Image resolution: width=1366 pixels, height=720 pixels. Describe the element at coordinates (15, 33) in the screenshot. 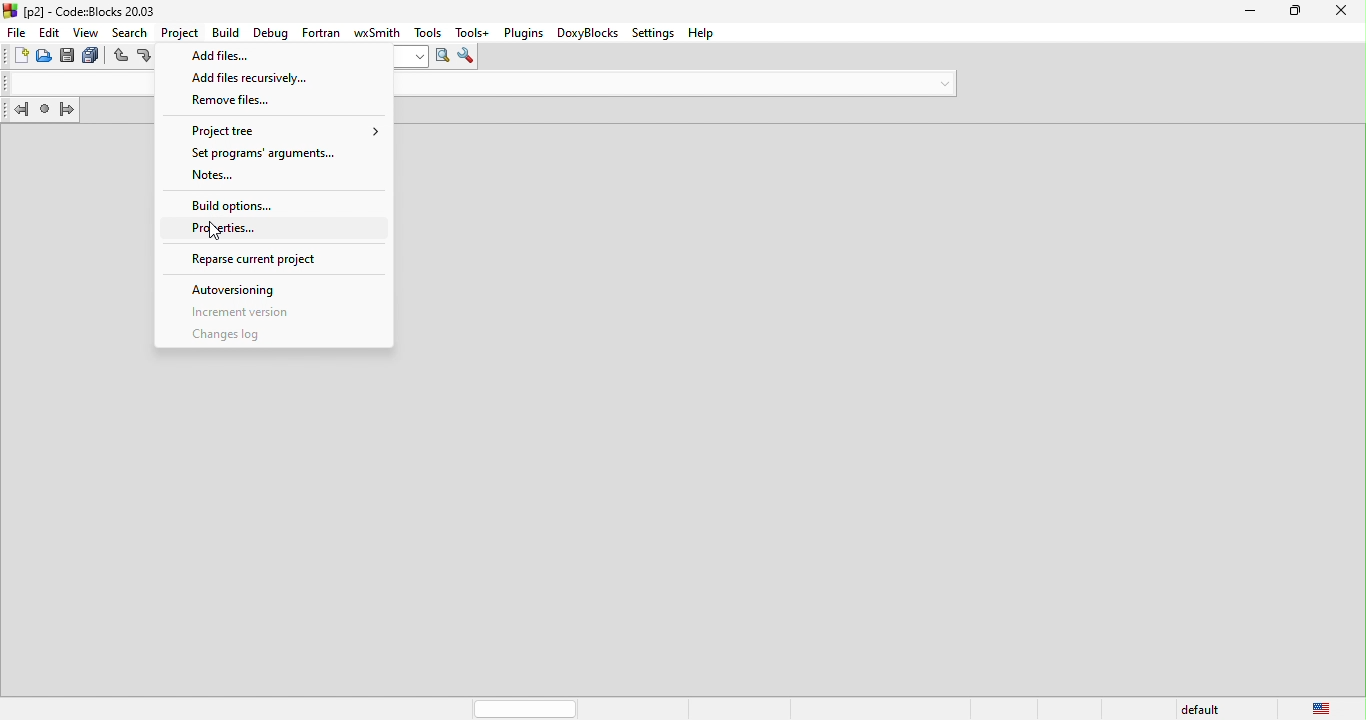

I see `file` at that location.